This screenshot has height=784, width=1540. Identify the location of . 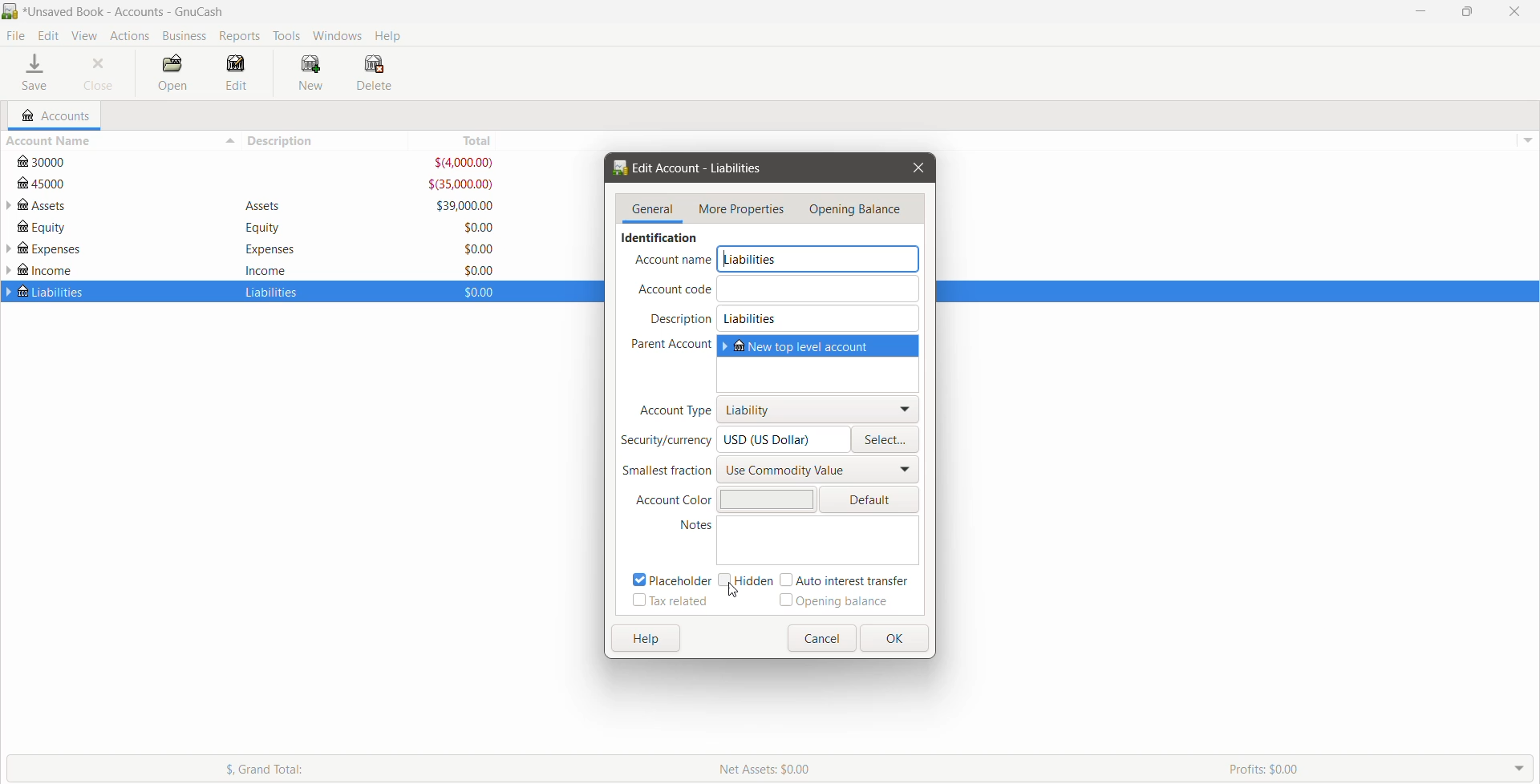
(663, 238).